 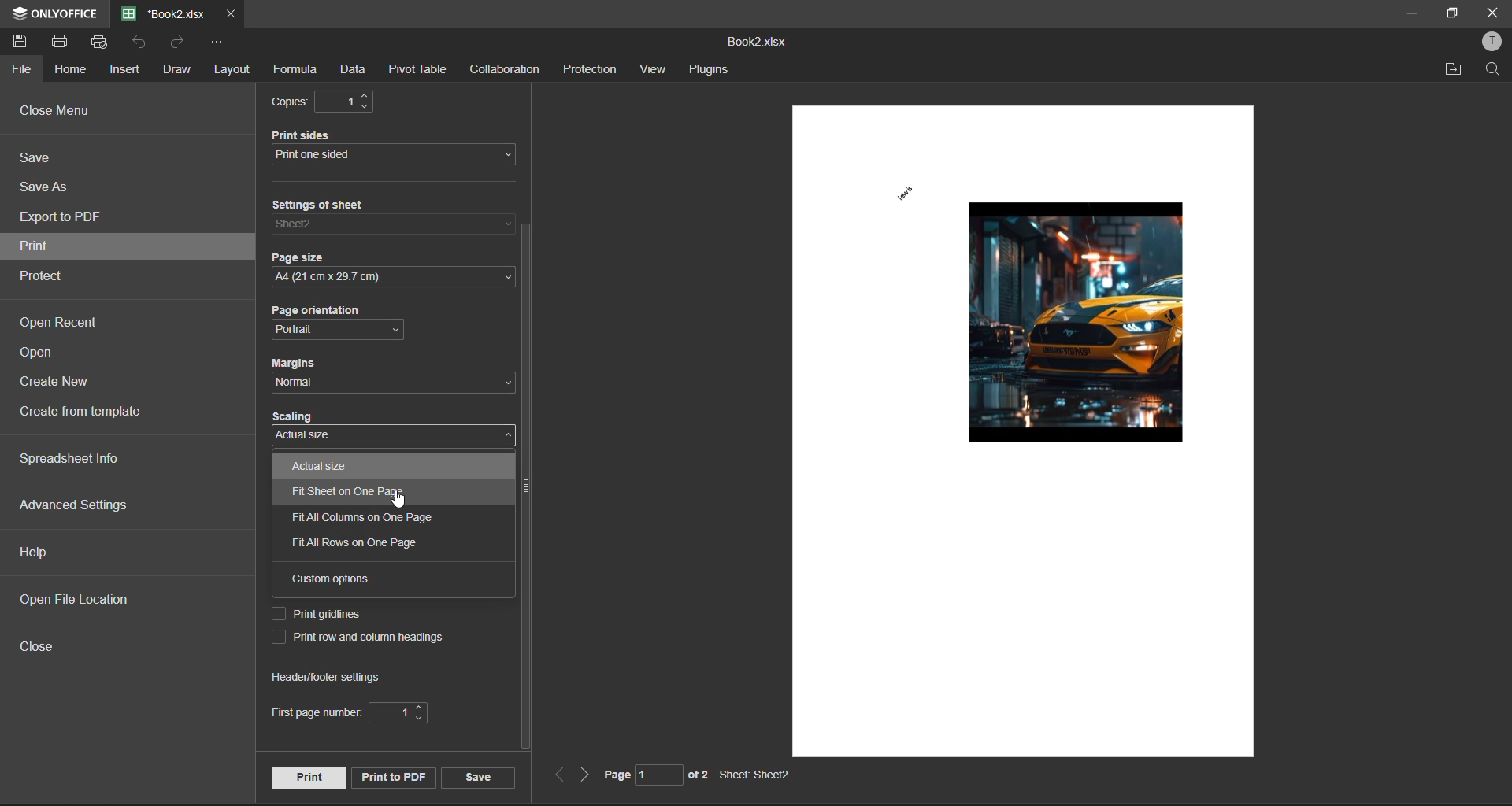 I want to click on open location, so click(x=1455, y=70).